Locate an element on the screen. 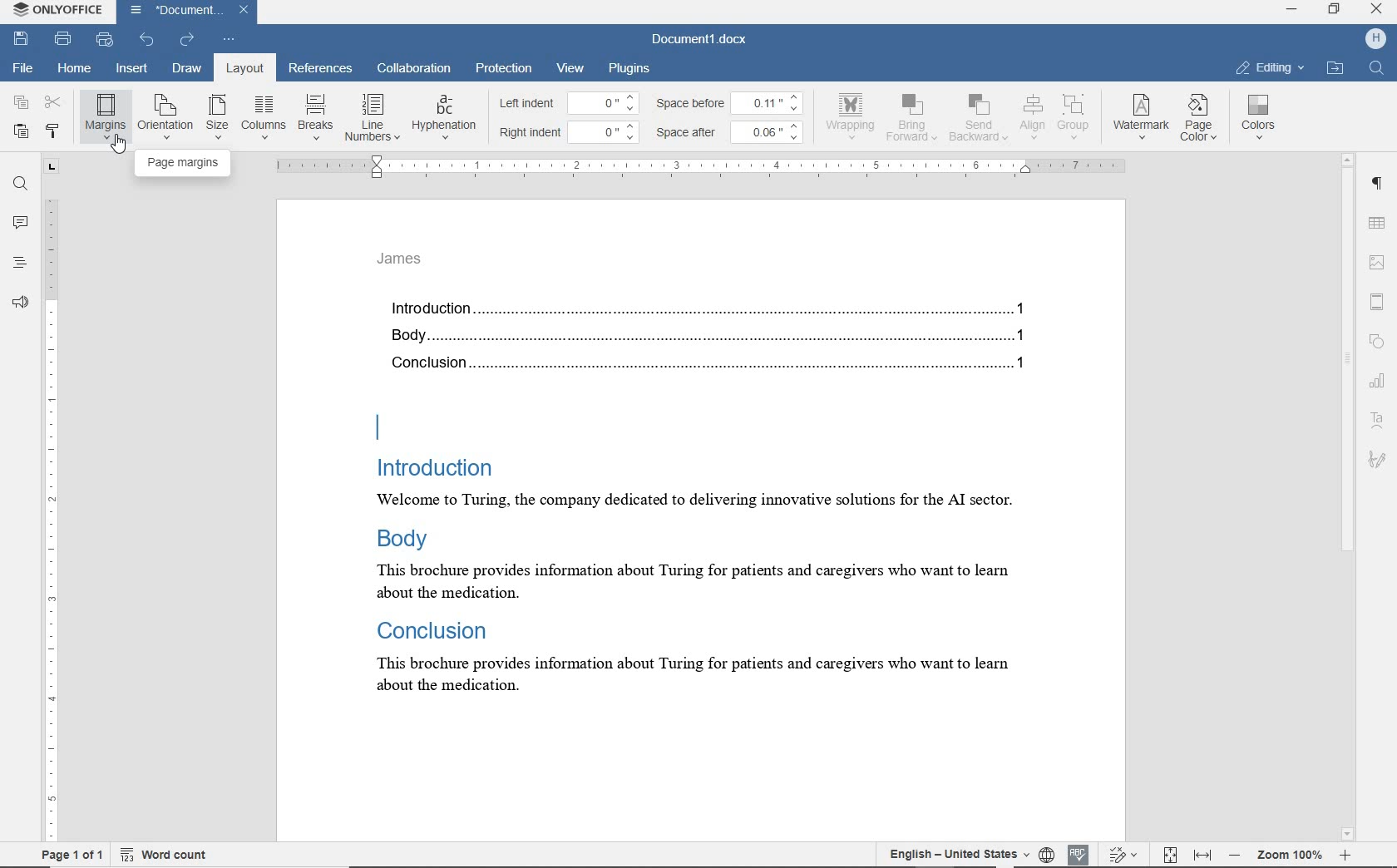  shape is located at coordinates (1377, 340).